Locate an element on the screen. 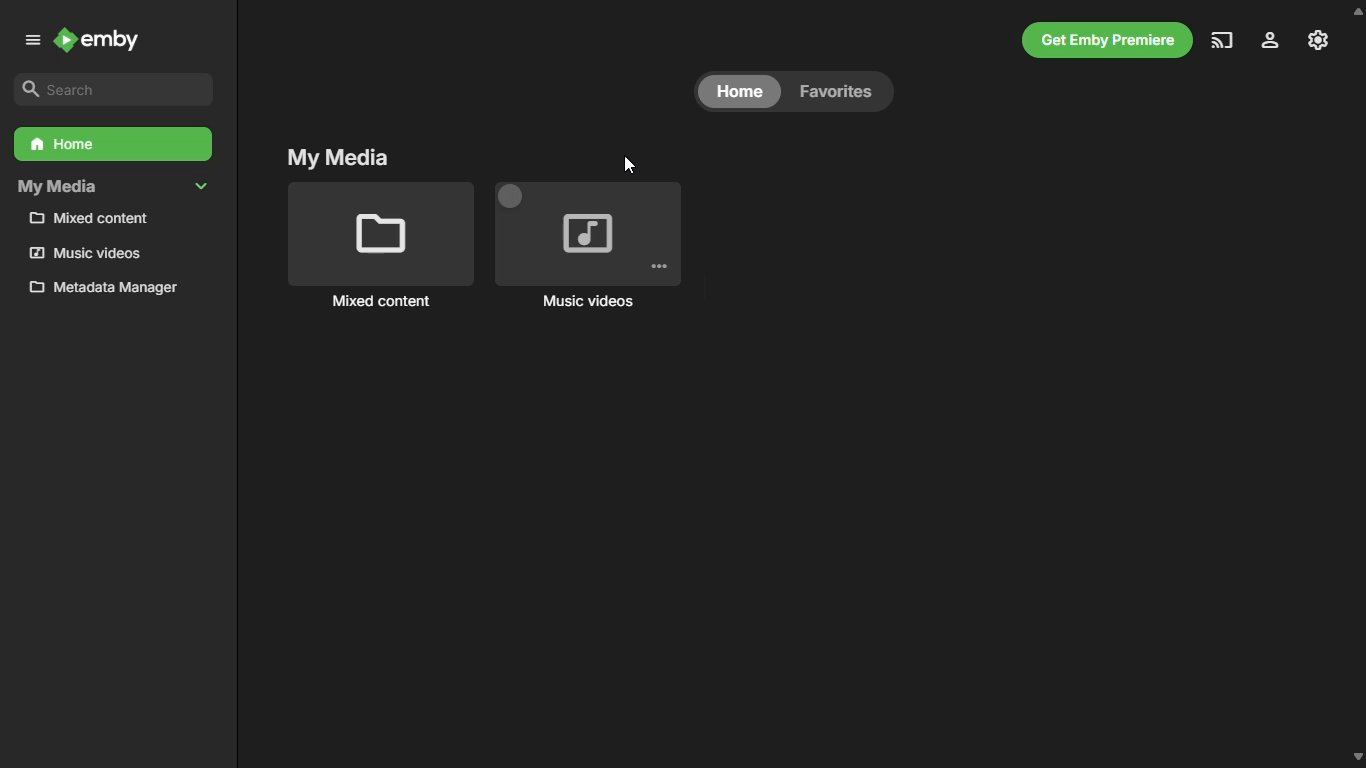 The width and height of the screenshot is (1366, 768). music videos is located at coordinates (589, 249).